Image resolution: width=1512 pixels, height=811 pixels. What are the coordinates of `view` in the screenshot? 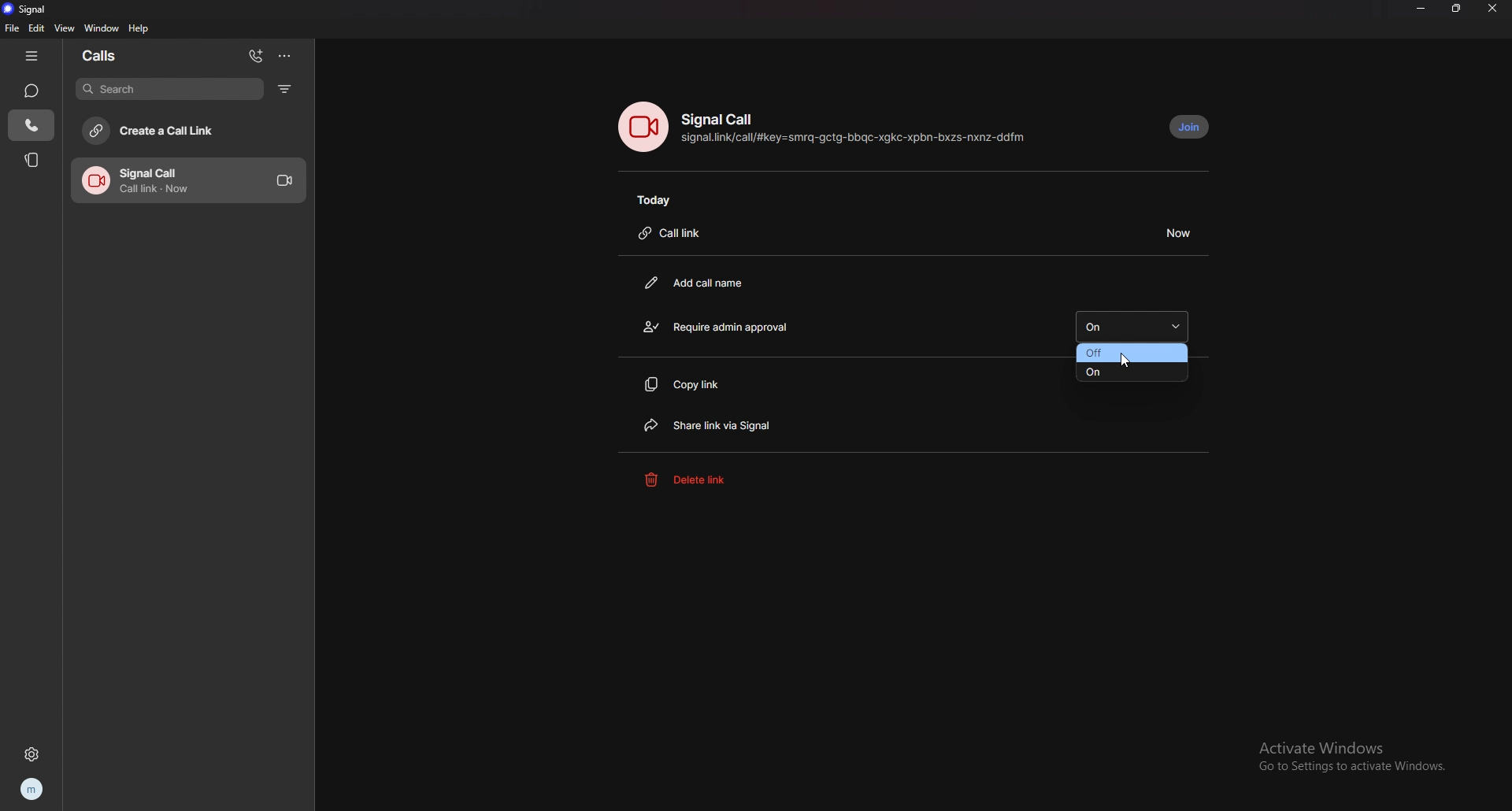 It's located at (64, 28).